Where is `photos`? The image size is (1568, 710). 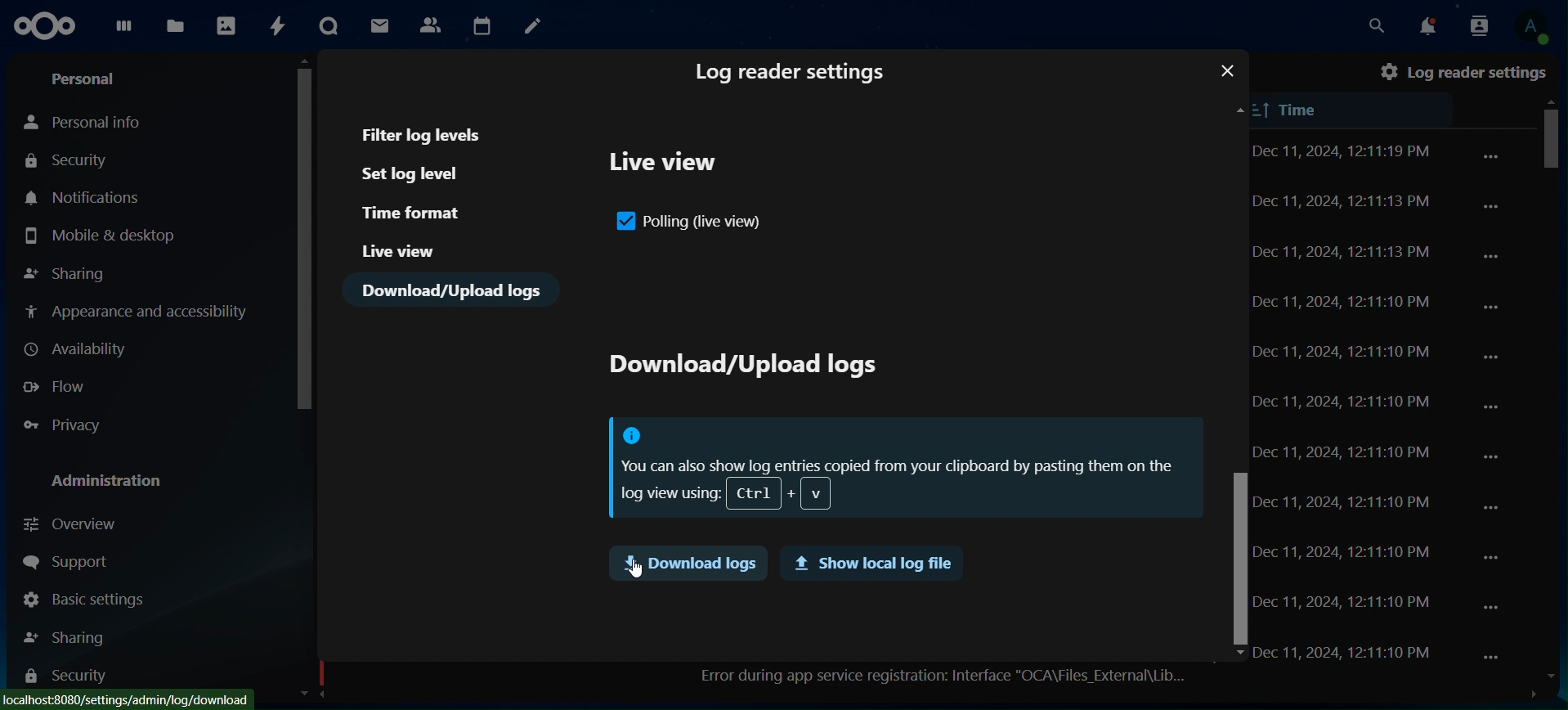 photos is located at coordinates (225, 28).